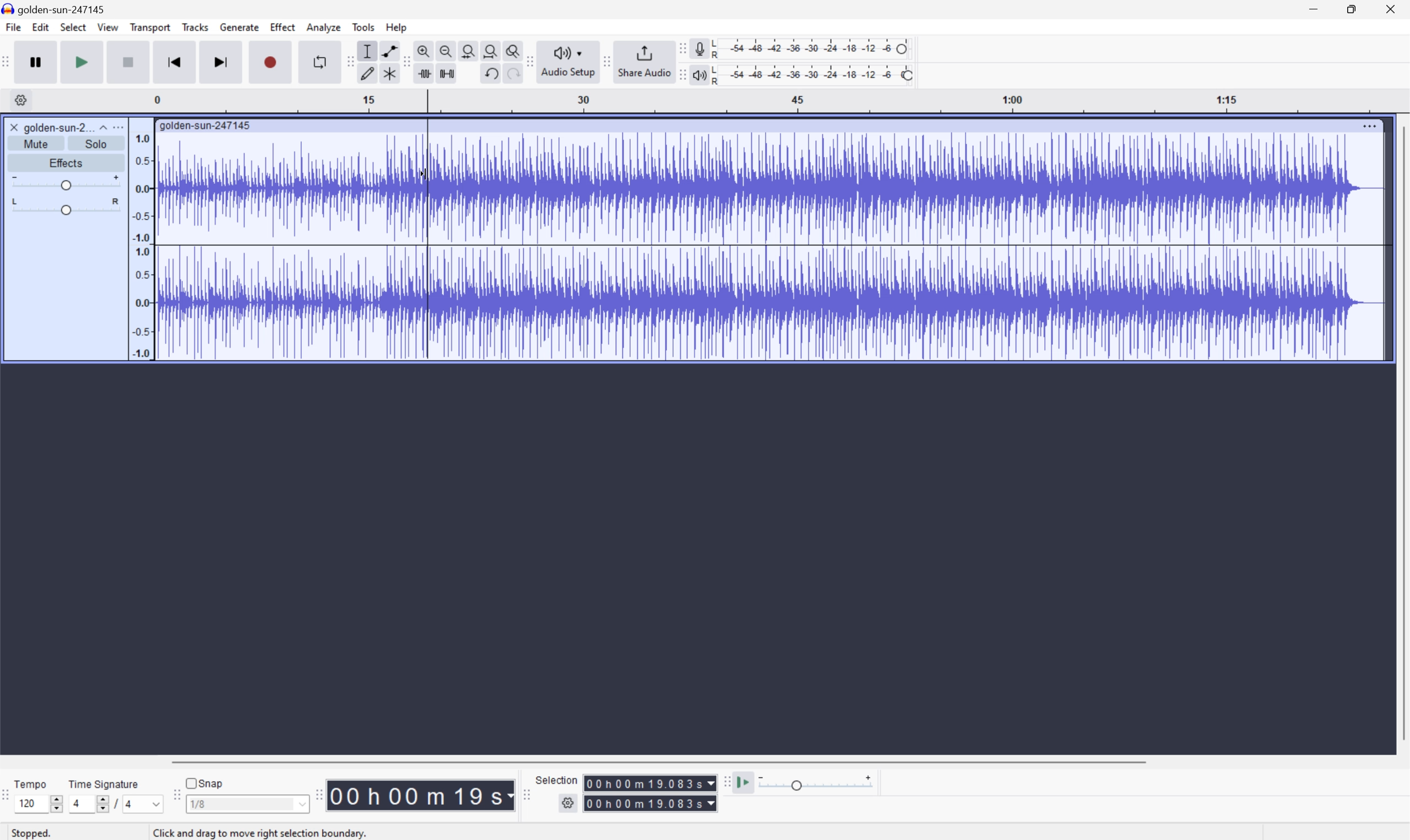  I want to click on Scroll Bar, so click(1401, 434).